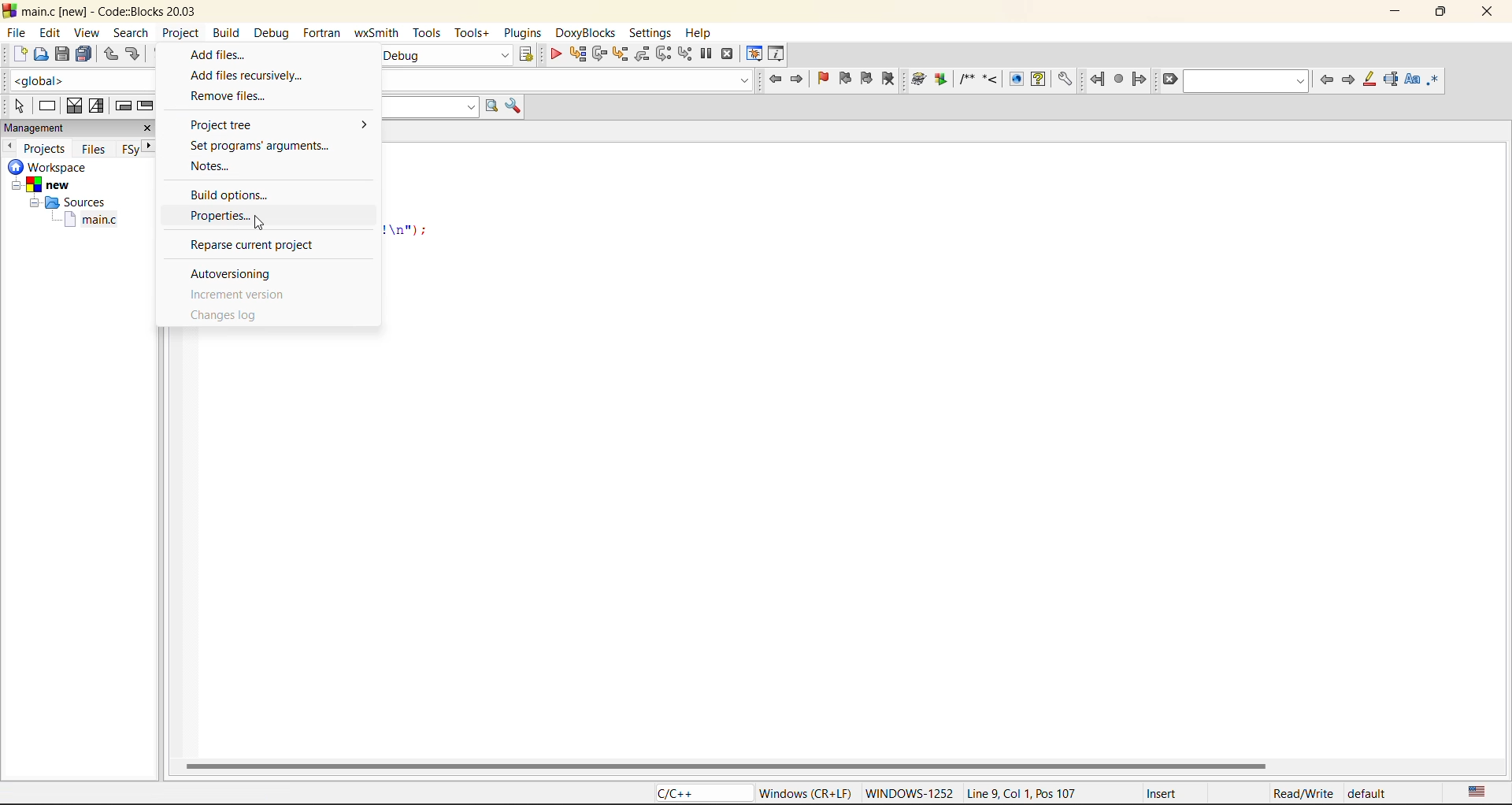  What do you see at coordinates (1480, 792) in the screenshot?
I see `text language` at bounding box center [1480, 792].